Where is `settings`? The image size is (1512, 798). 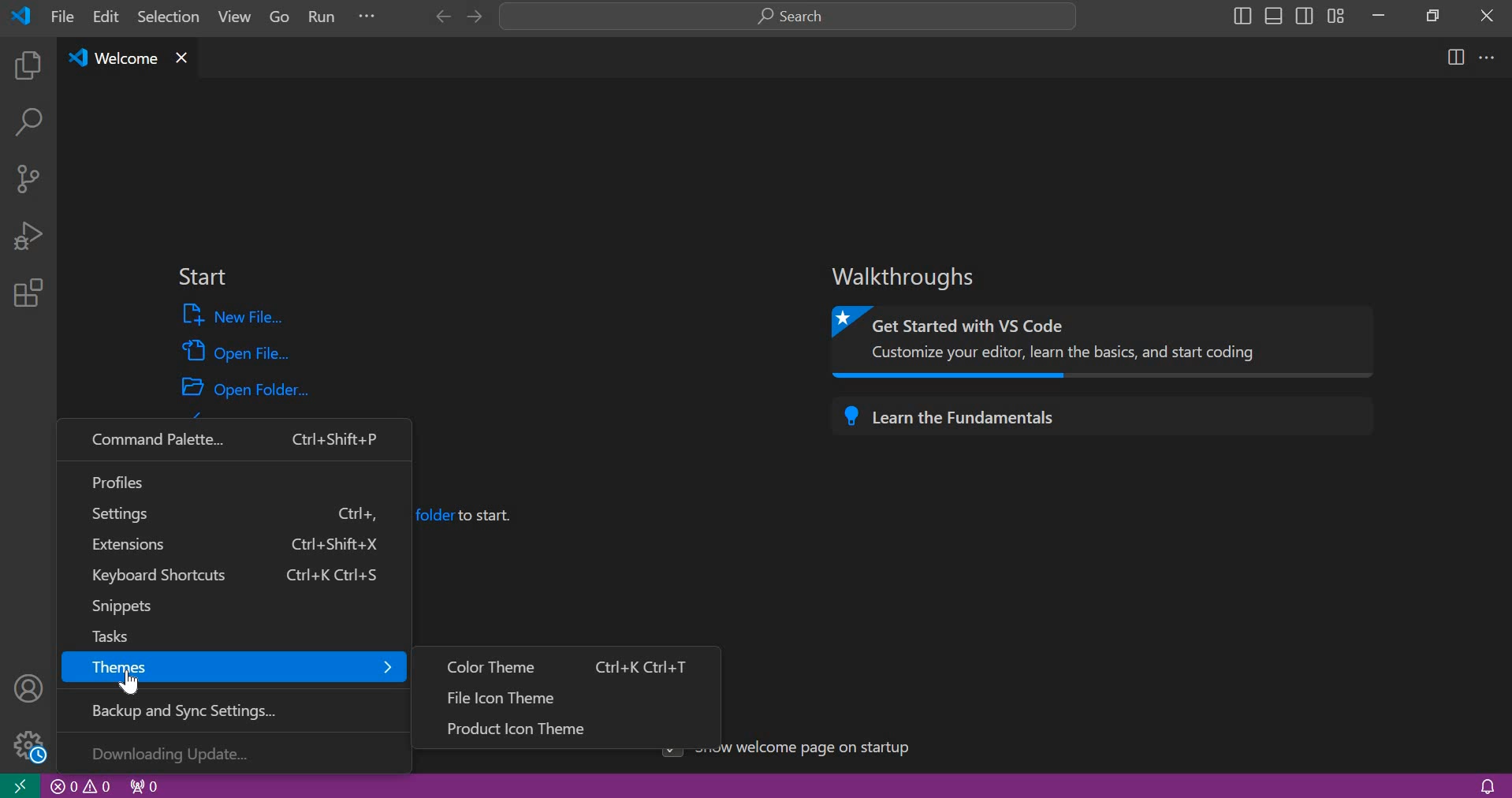 settings is located at coordinates (235, 513).